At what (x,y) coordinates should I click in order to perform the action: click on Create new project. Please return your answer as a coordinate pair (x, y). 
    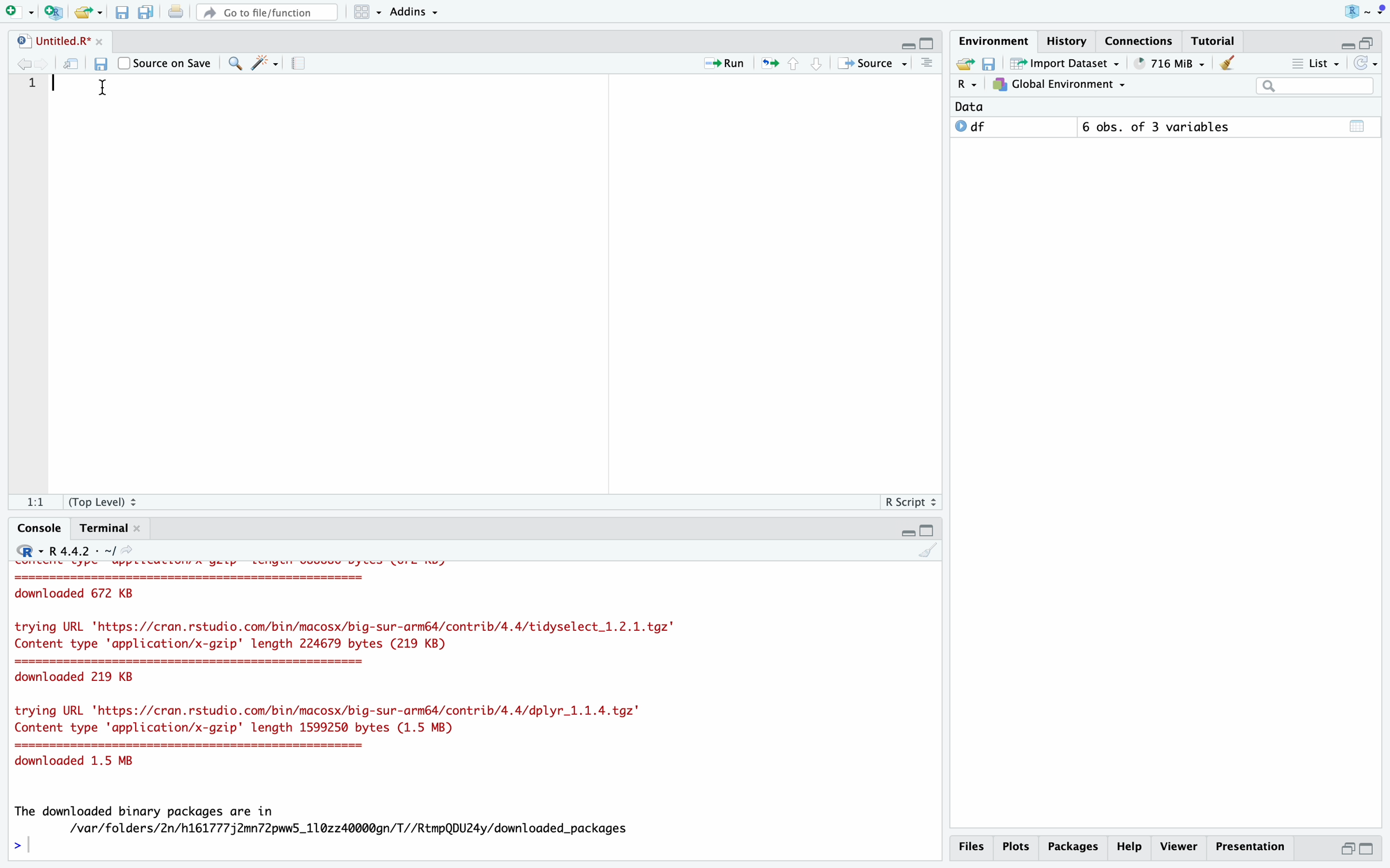
    Looking at the image, I should click on (56, 12).